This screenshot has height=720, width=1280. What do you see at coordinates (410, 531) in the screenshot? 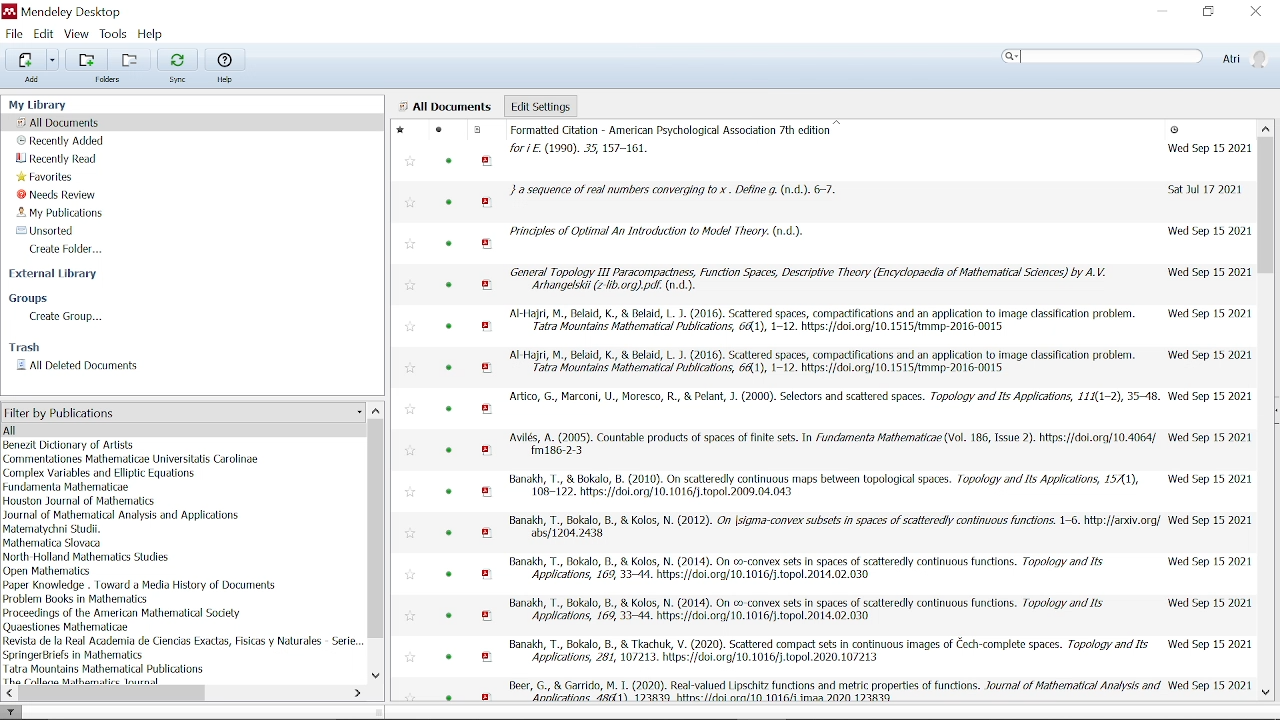
I see `favourite` at bounding box center [410, 531].